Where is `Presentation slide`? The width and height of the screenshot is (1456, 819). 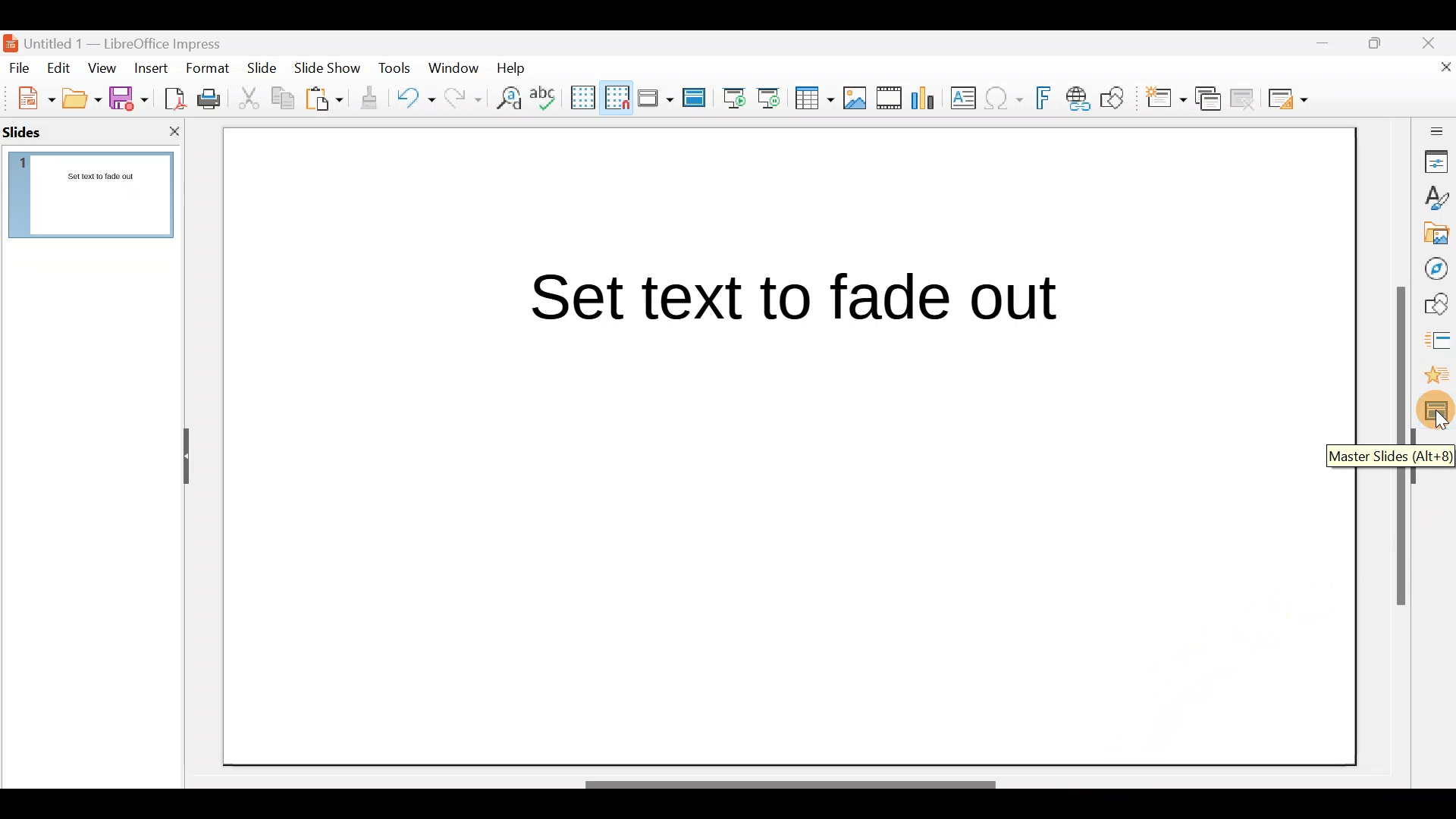
Presentation slide is located at coordinates (780, 431).